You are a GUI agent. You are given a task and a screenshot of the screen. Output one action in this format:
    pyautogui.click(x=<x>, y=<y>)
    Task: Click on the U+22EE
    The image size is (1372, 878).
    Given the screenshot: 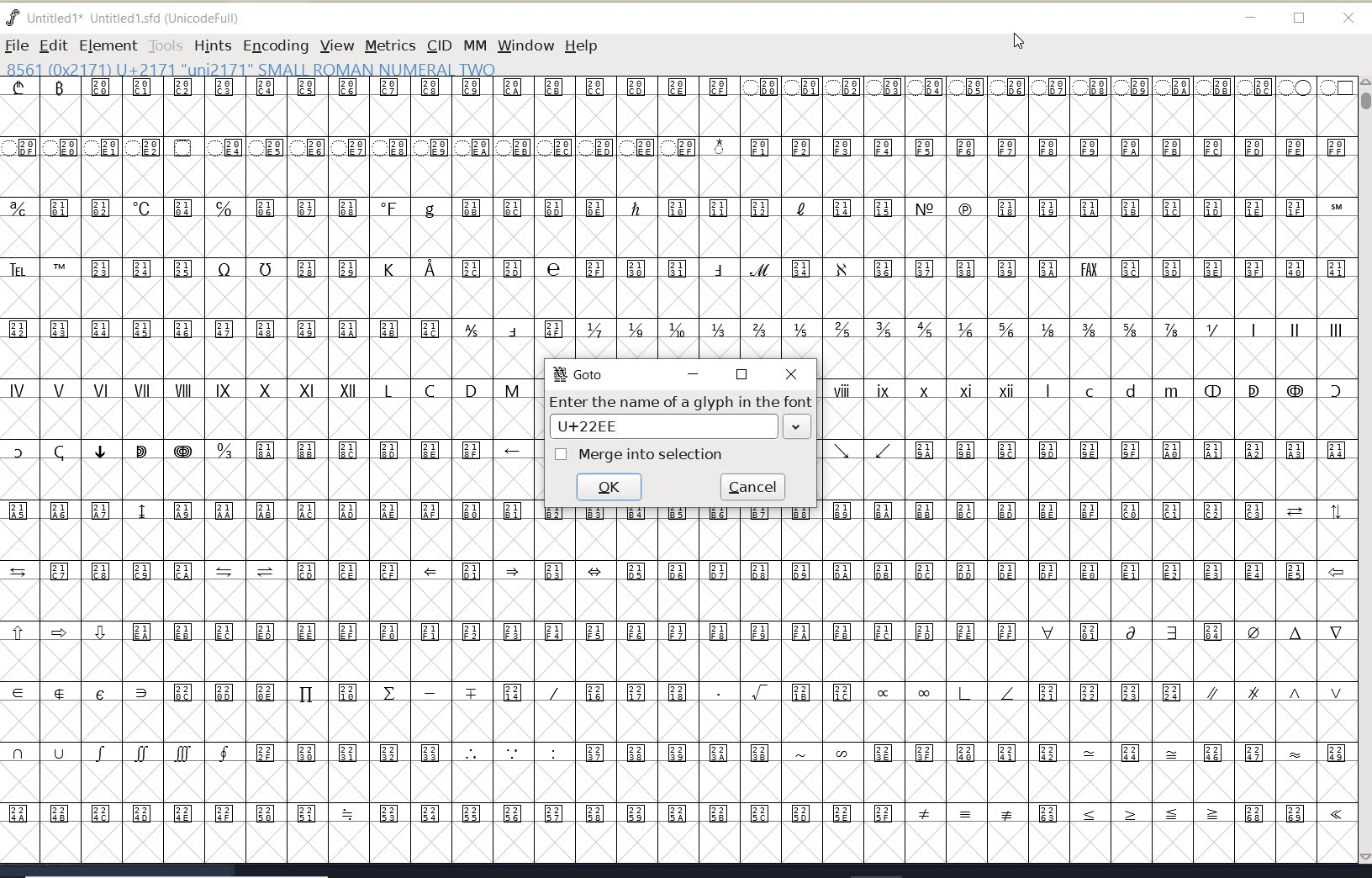 What is the action you would take?
    pyautogui.click(x=596, y=426)
    